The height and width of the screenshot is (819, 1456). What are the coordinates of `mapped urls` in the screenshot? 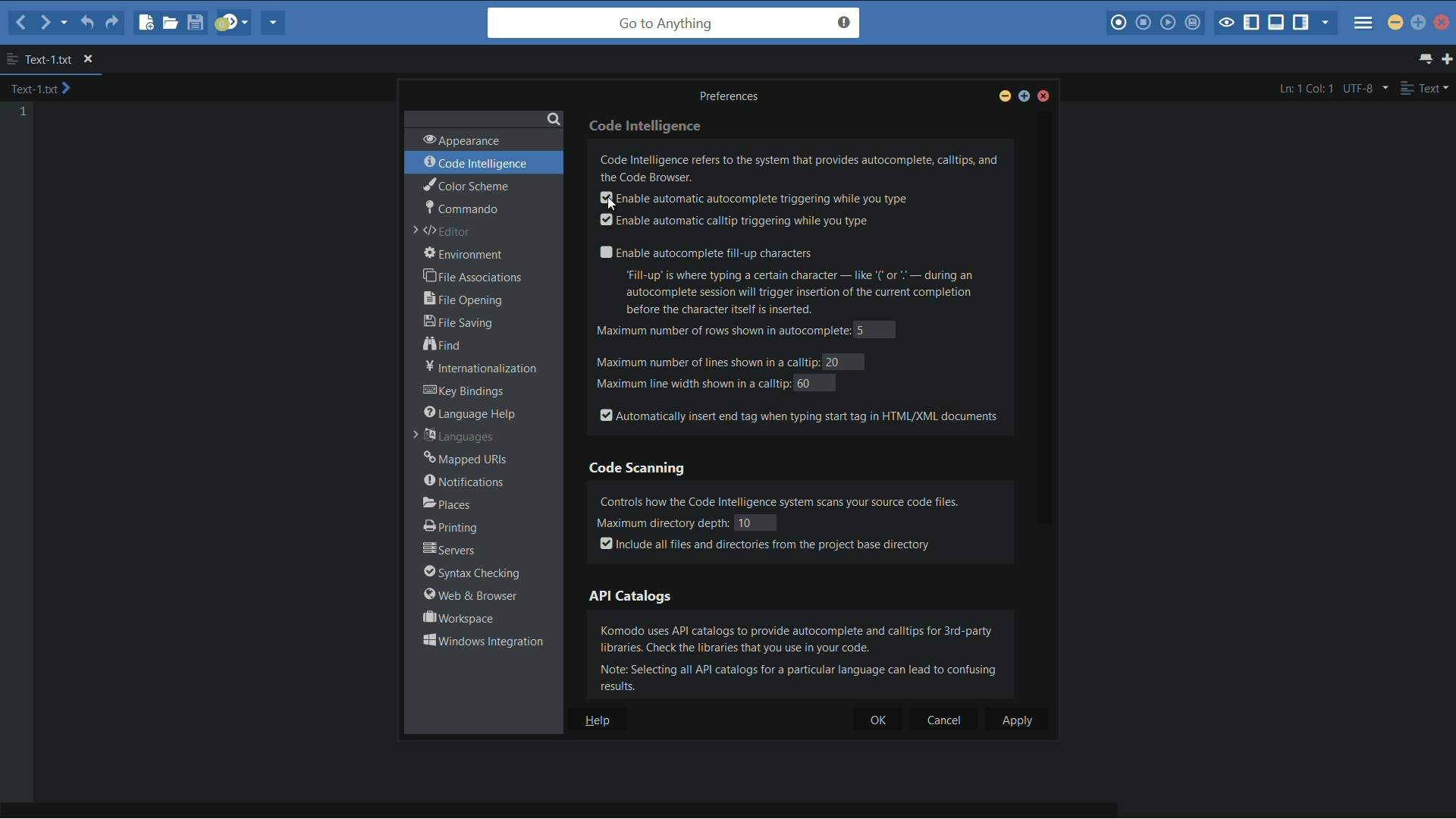 It's located at (466, 460).